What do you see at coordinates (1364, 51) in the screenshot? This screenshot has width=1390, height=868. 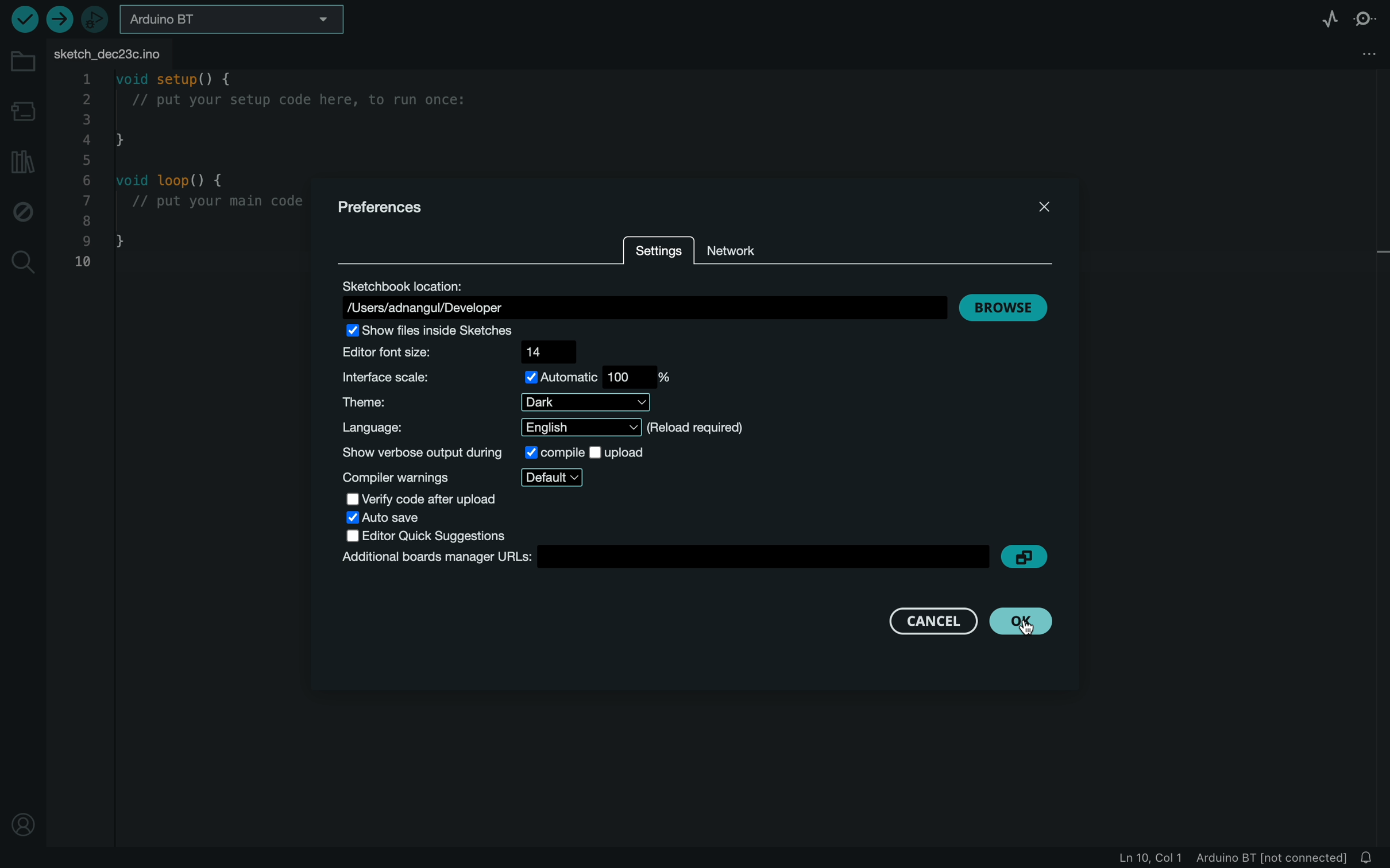 I see `file setting` at bounding box center [1364, 51].